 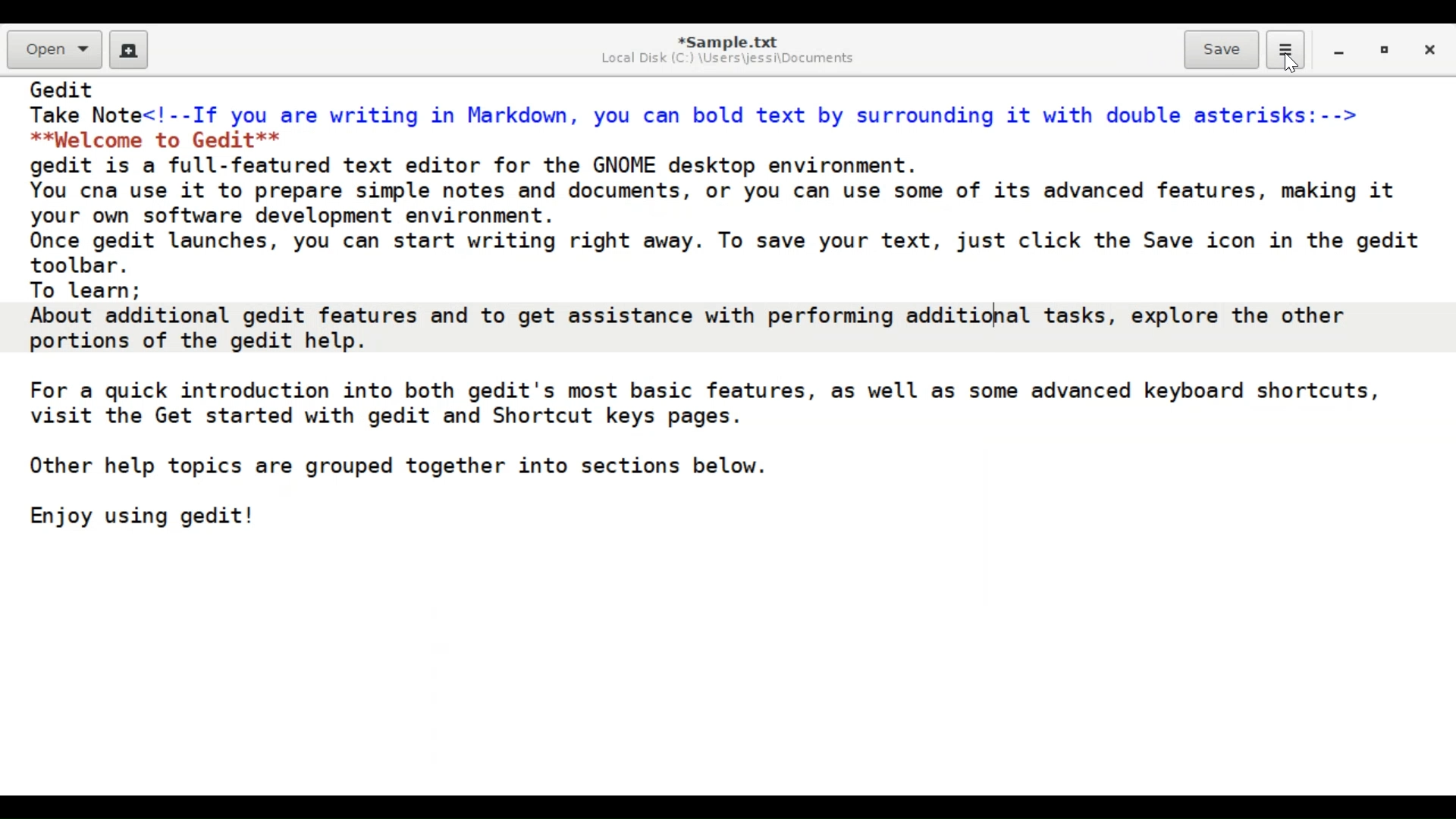 What do you see at coordinates (1339, 52) in the screenshot?
I see `minimize` at bounding box center [1339, 52].